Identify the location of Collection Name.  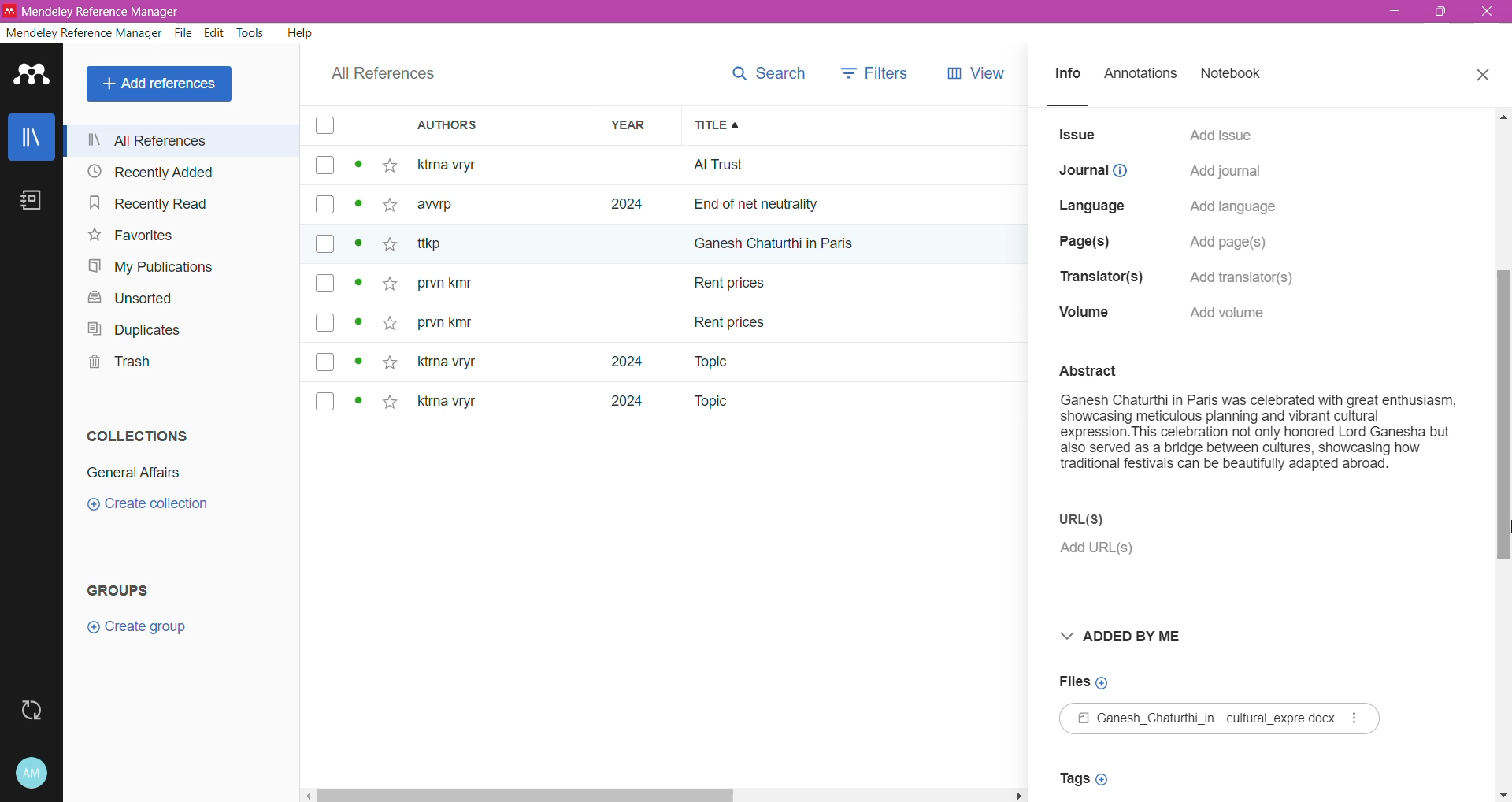
(137, 470).